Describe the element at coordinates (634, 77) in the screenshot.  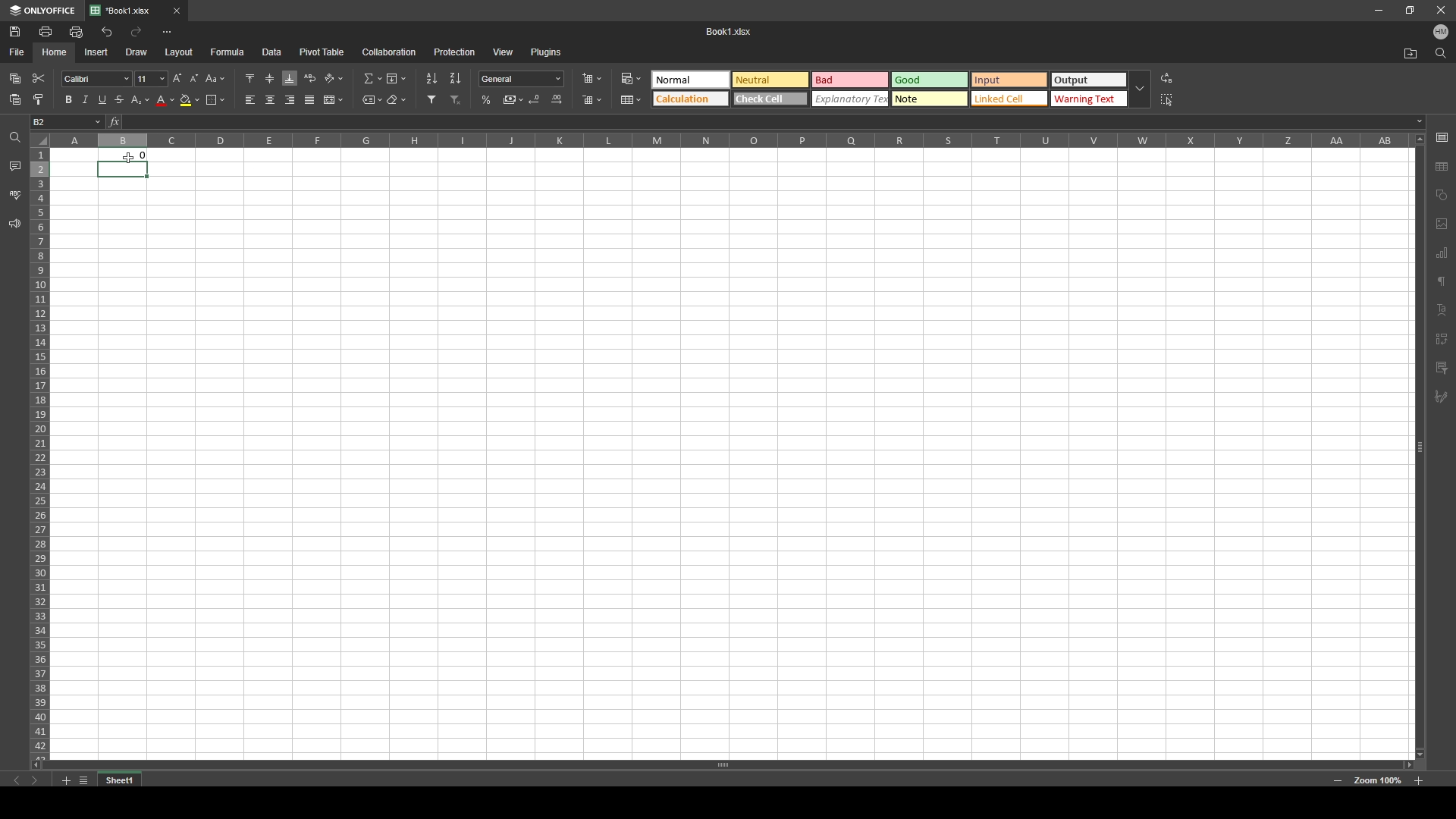
I see `conditional formatting` at that location.